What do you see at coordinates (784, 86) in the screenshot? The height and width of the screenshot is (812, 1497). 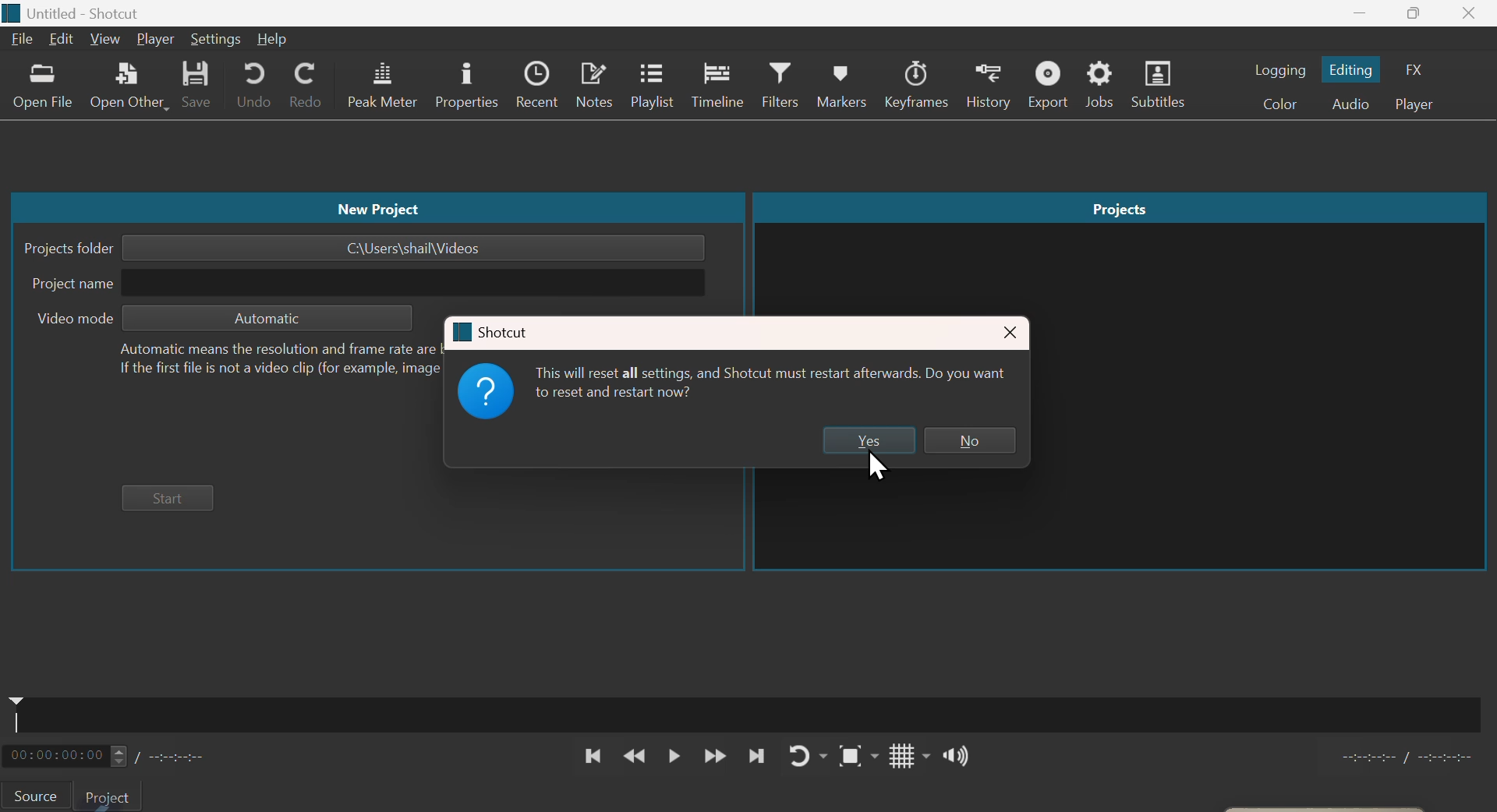 I see `philtres` at bounding box center [784, 86].